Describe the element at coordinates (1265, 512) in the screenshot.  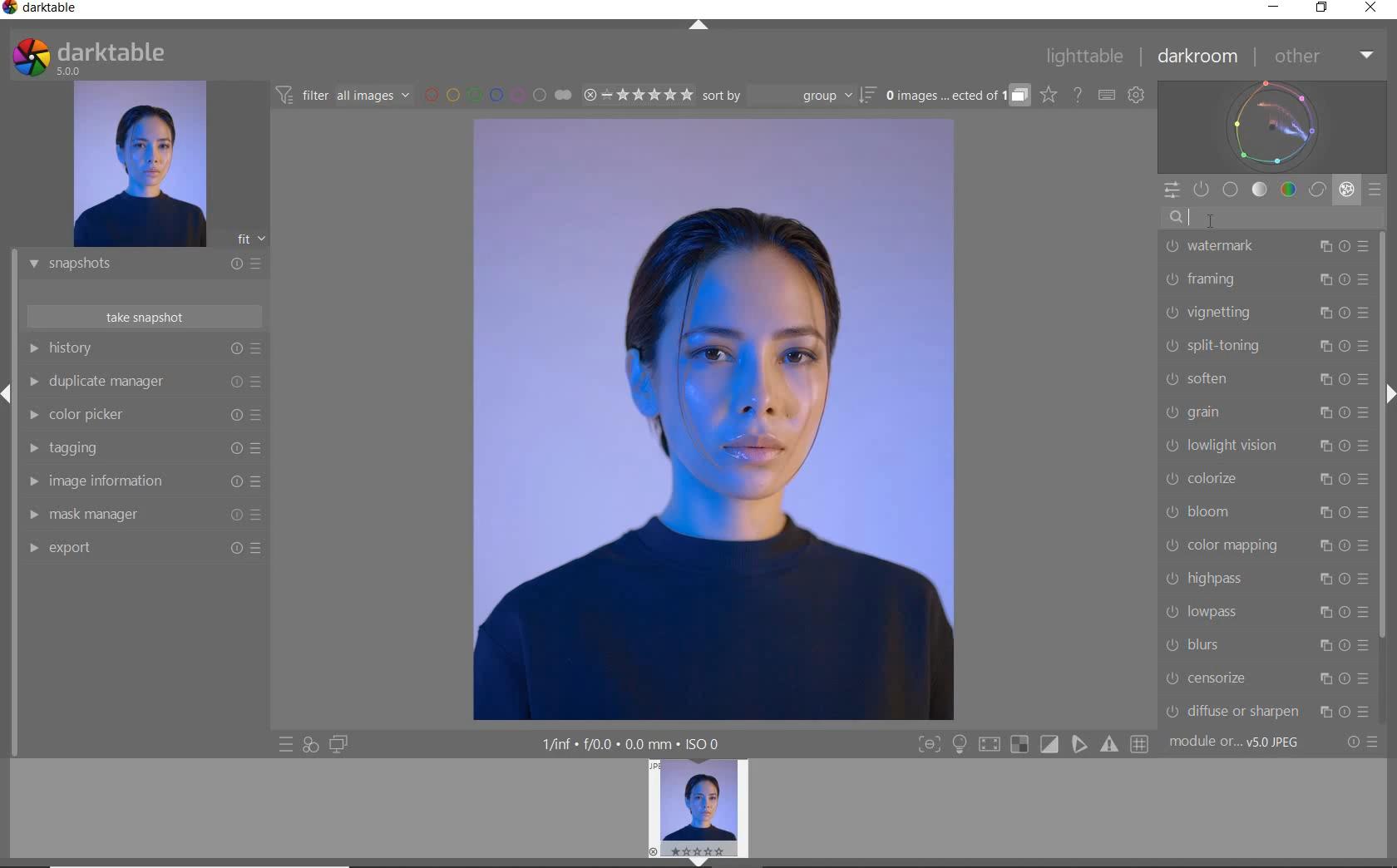
I see `BLOOM` at that location.